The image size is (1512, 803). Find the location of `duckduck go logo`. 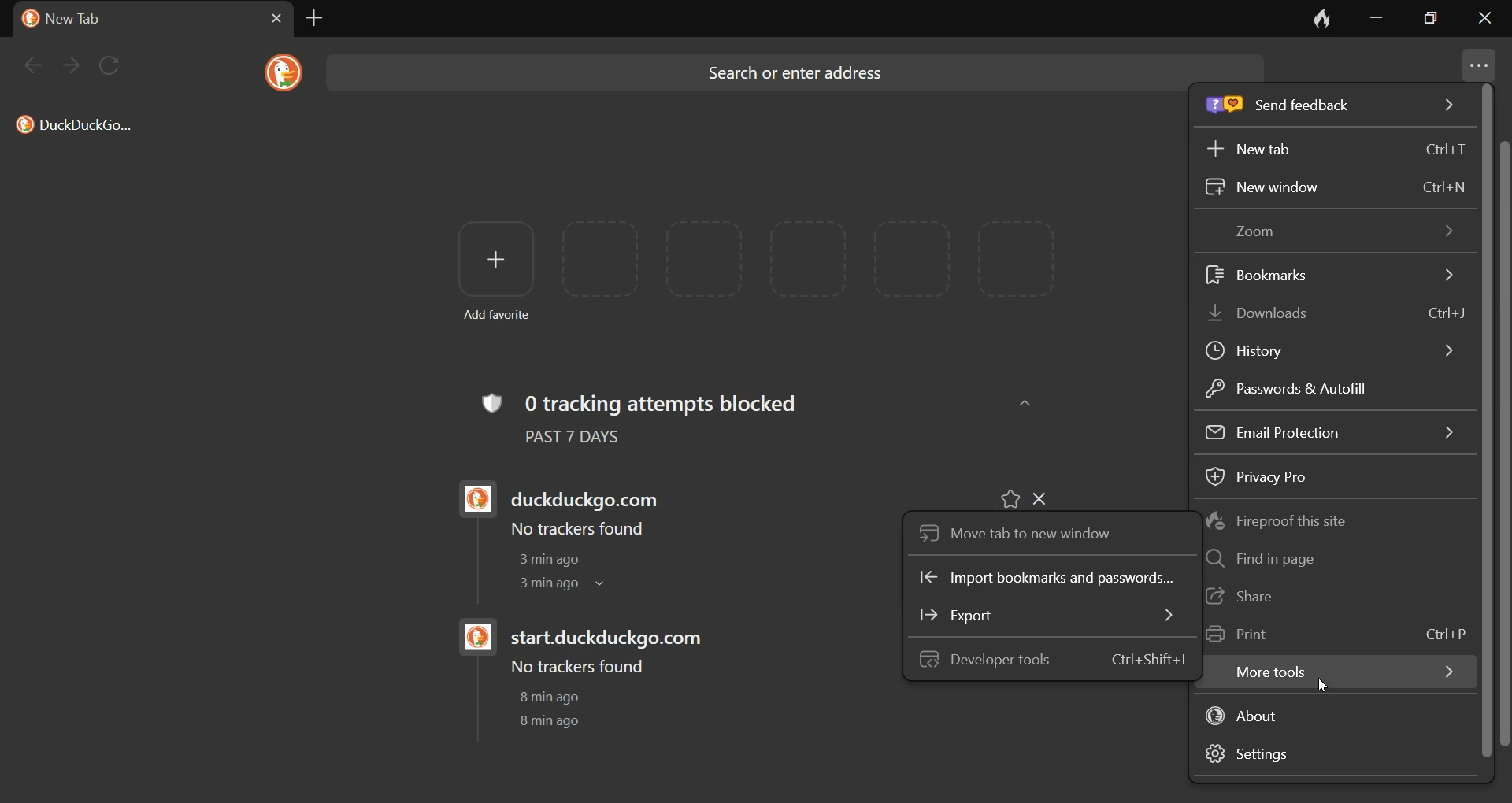

duckduck go logo is located at coordinates (470, 499).